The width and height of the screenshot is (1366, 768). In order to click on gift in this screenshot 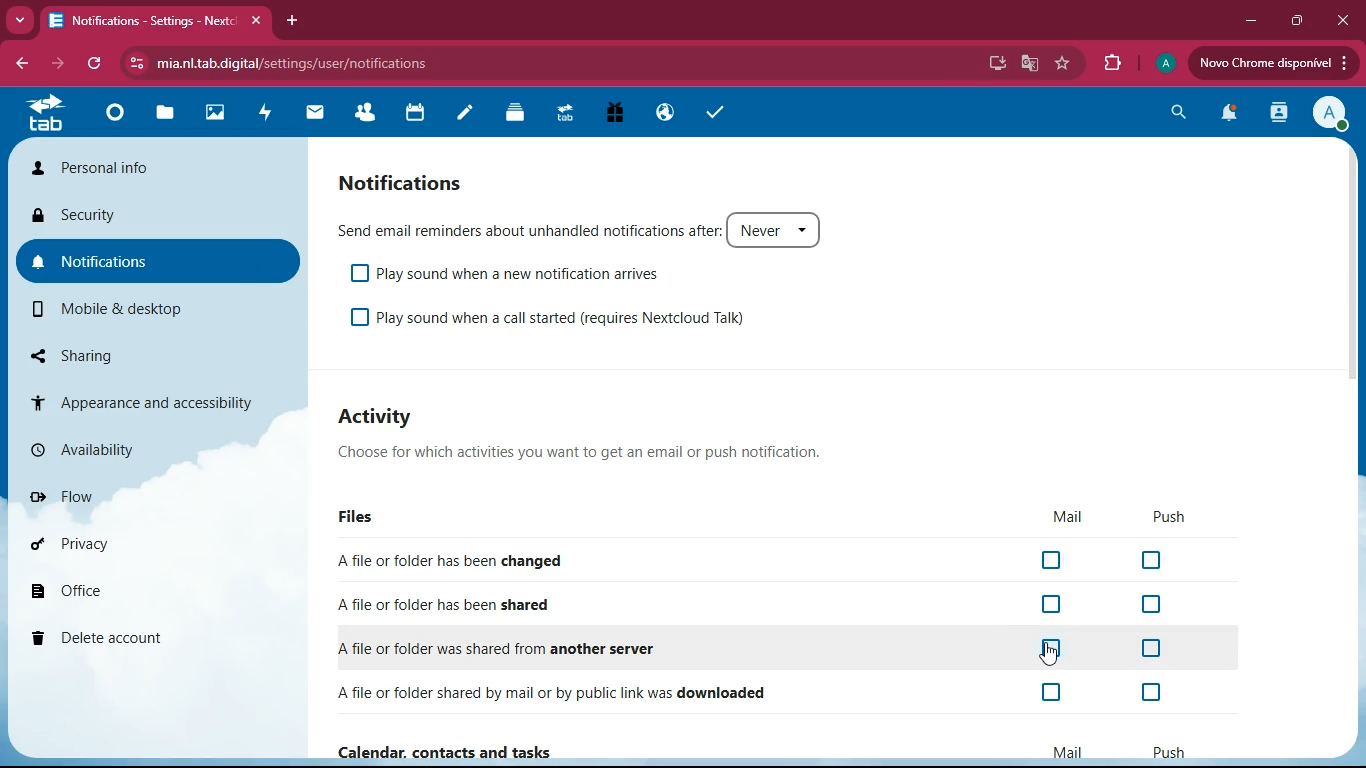, I will do `click(611, 114)`.